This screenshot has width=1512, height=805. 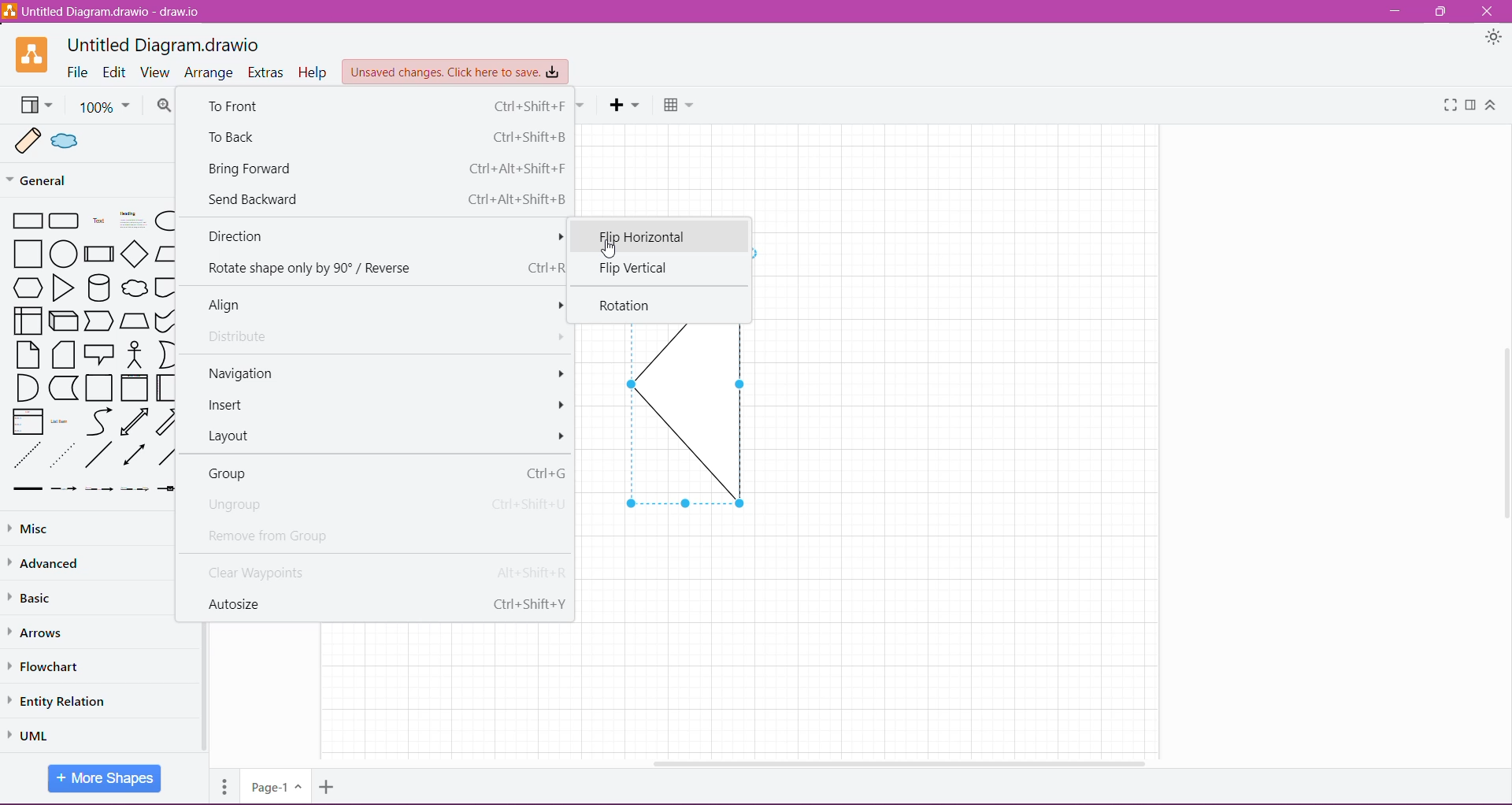 What do you see at coordinates (92, 351) in the screenshot?
I see `Shapes` at bounding box center [92, 351].